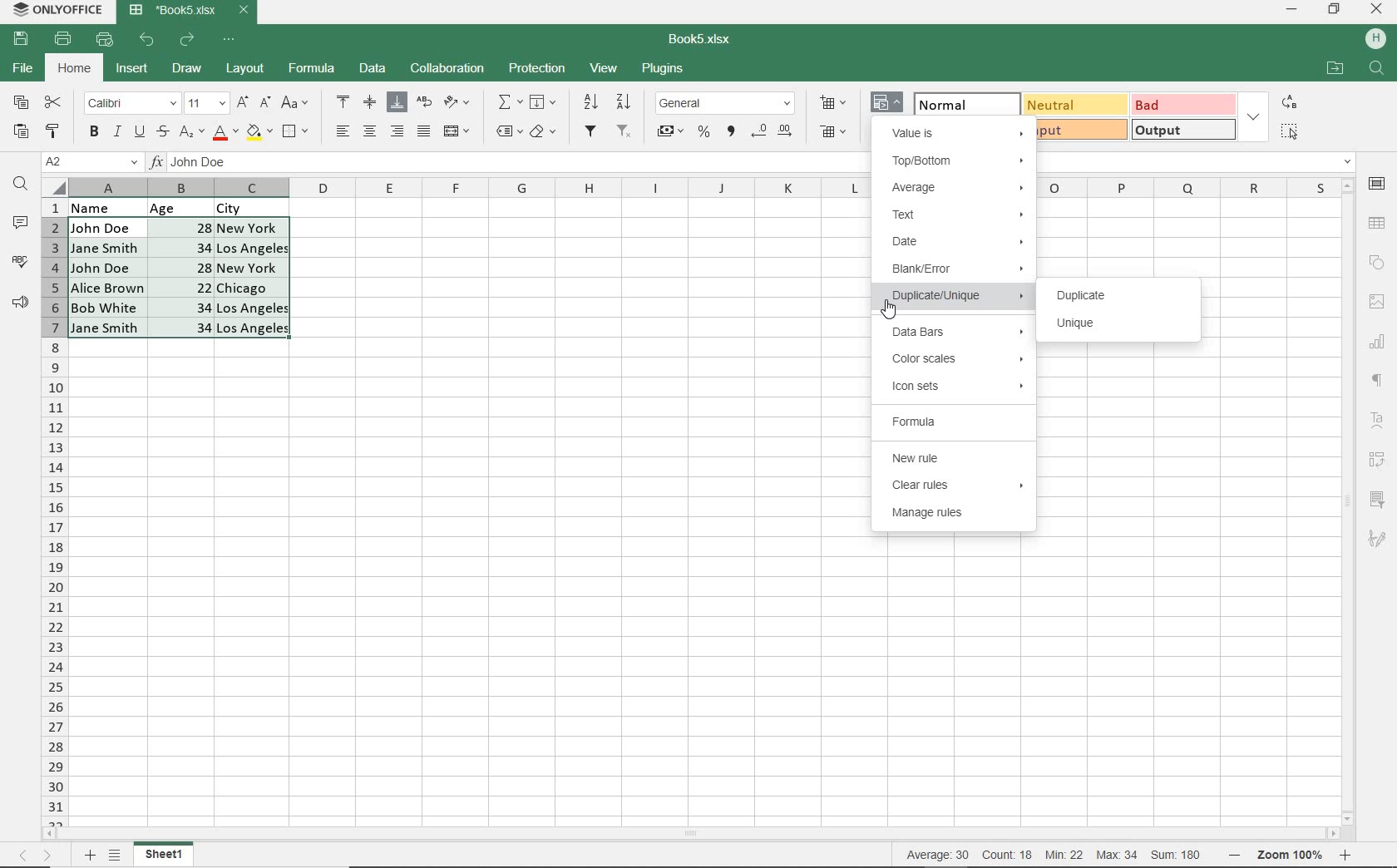 The image size is (1397, 868). I want to click on WRAP TEXT, so click(425, 104).